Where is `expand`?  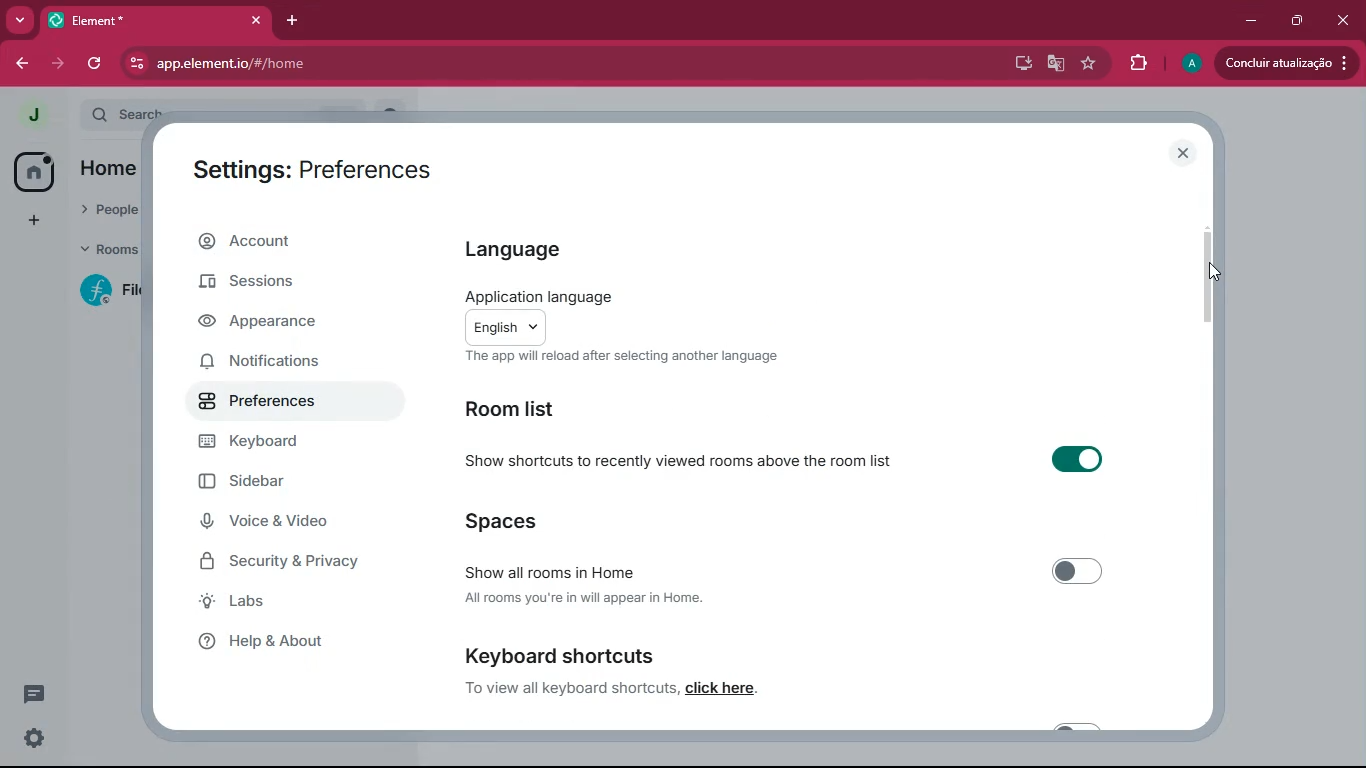 expand is located at coordinates (69, 116).